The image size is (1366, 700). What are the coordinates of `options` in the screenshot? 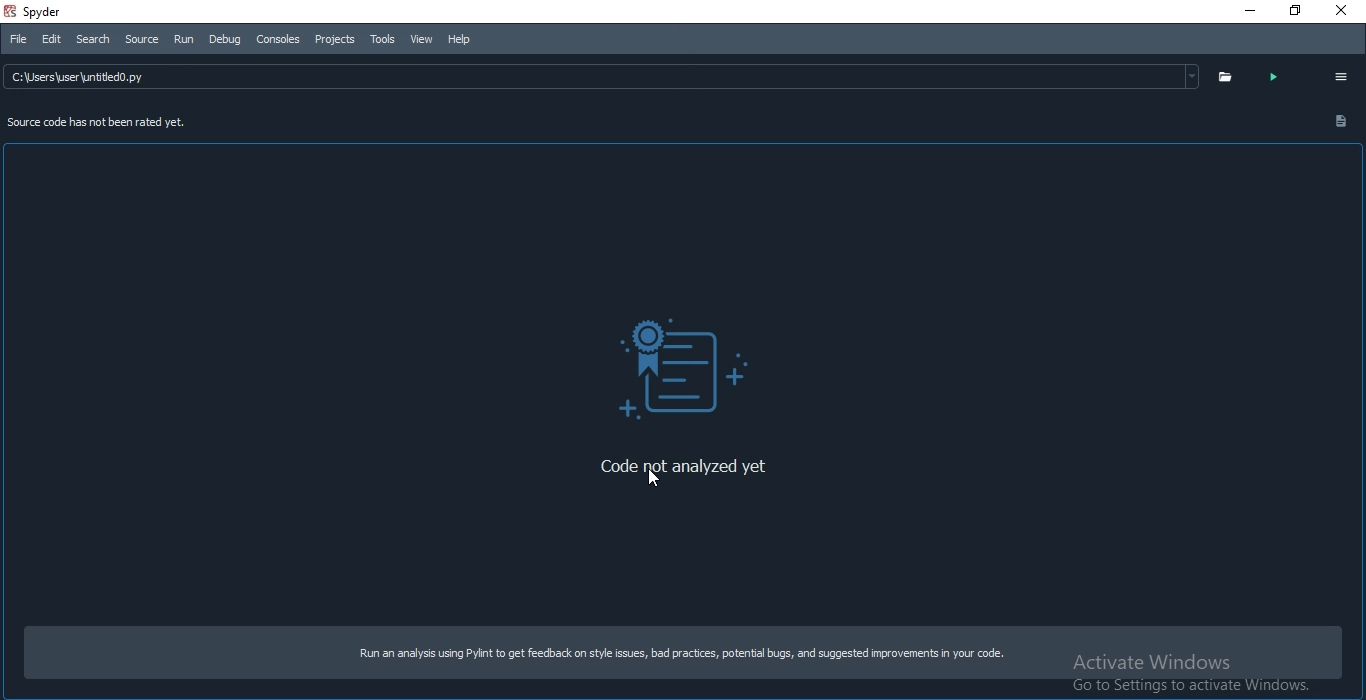 It's located at (1340, 77).